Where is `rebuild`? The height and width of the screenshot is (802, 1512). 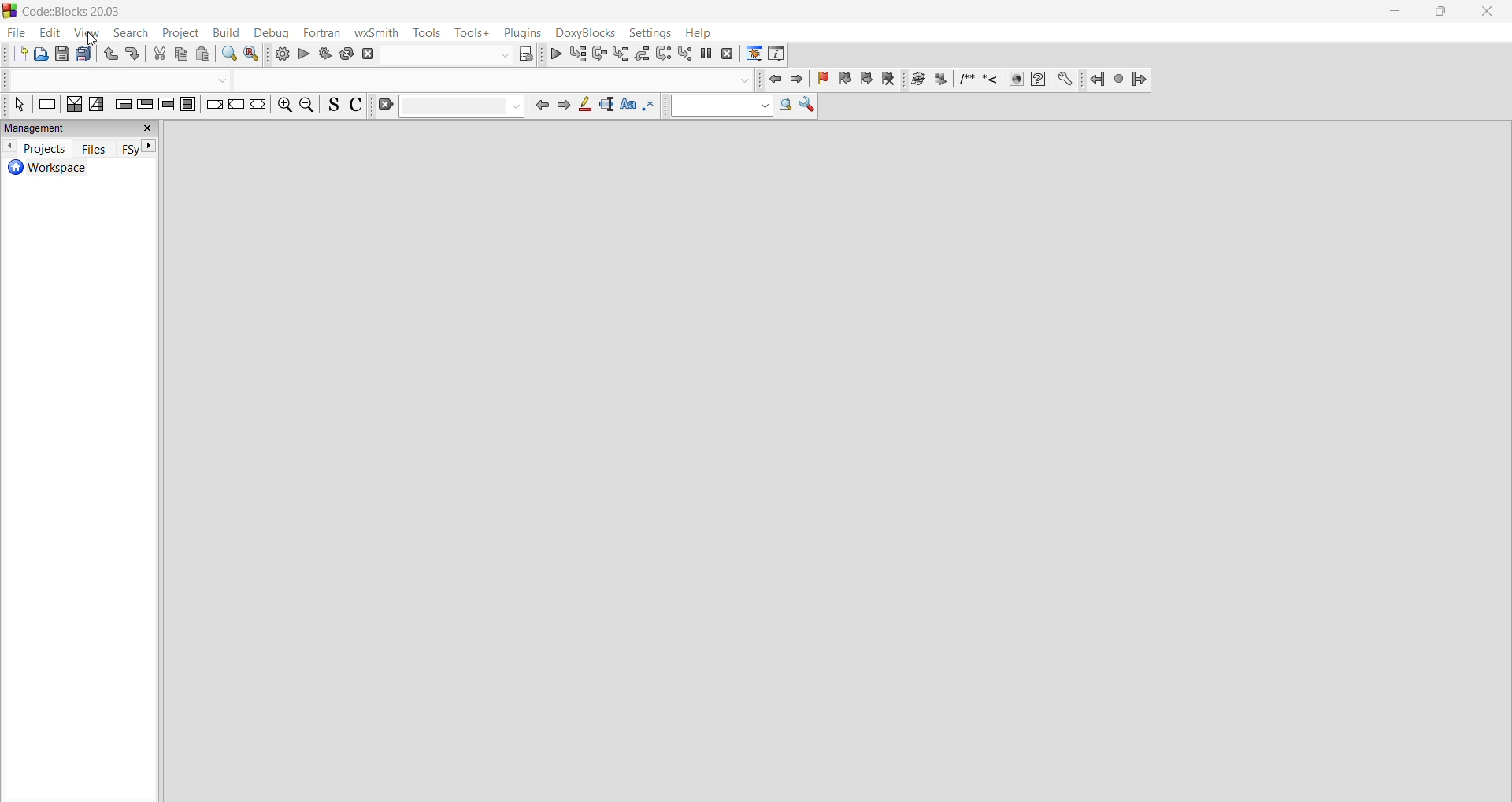
rebuild is located at coordinates (348, 56).